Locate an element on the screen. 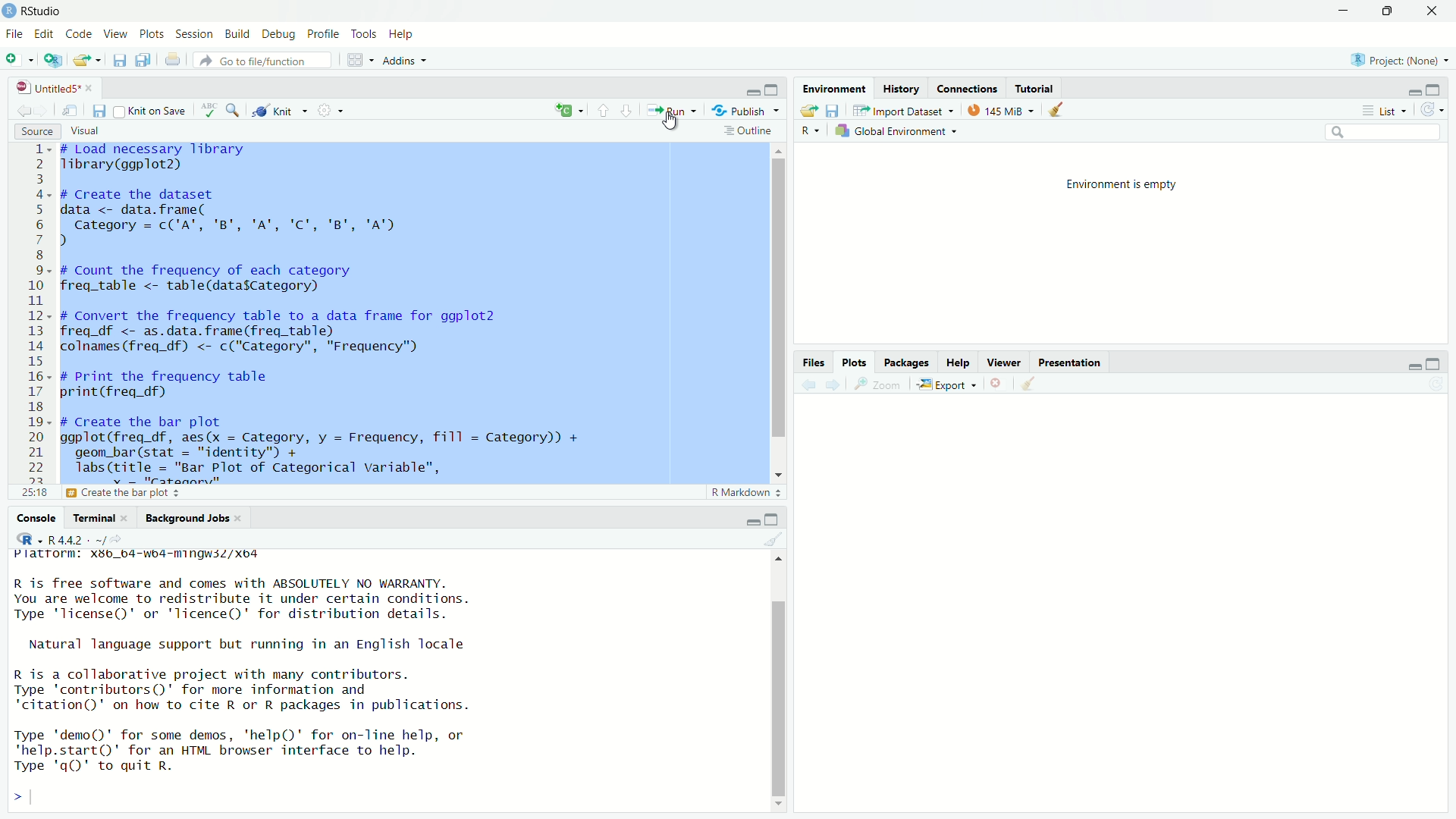 The image size is (1456, 819). next is located at coordinates (838, 385).